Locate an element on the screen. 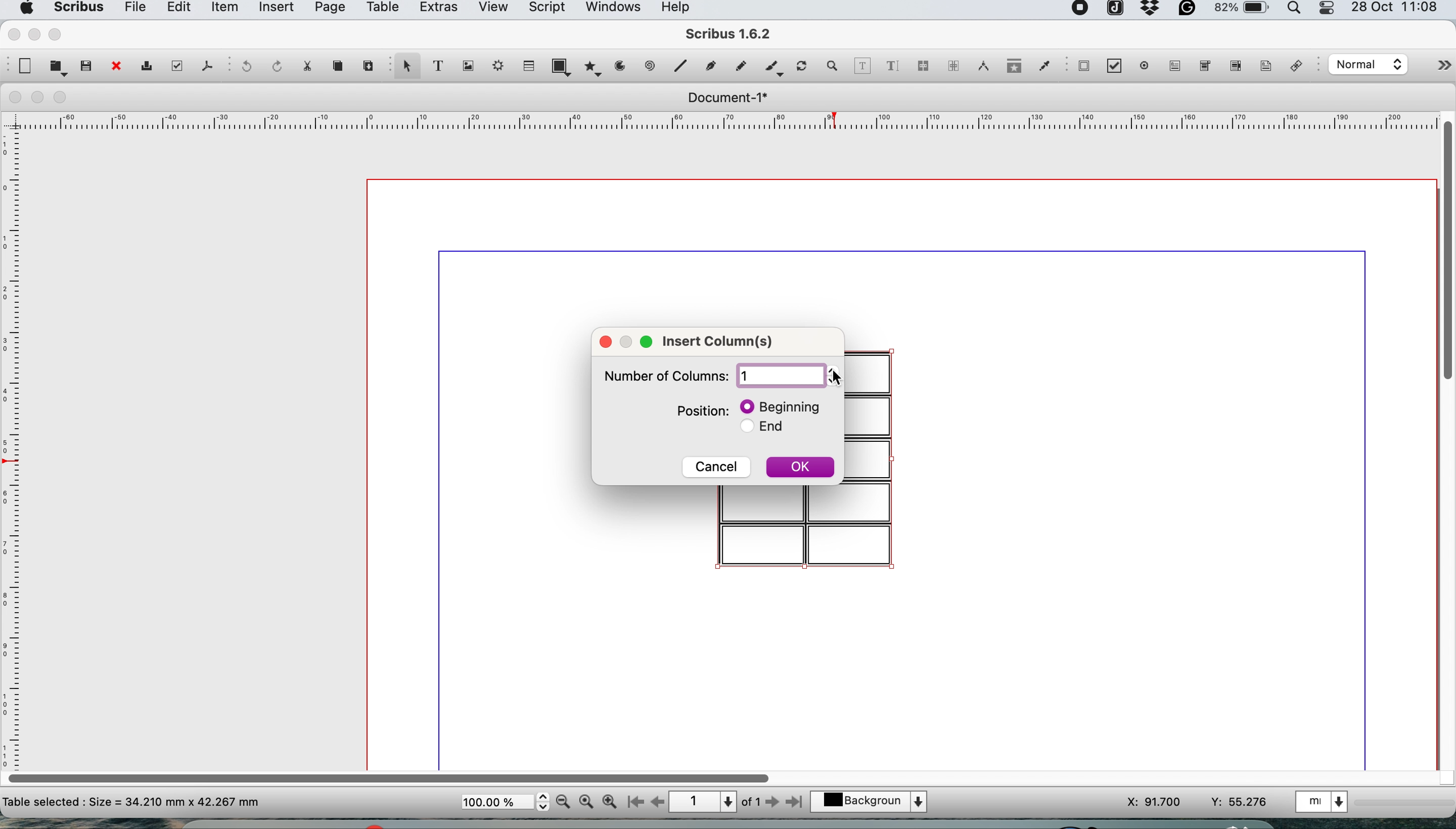 This screenshot has height=829, width=1456. number of rows input box is located at coordinates (769, 376).